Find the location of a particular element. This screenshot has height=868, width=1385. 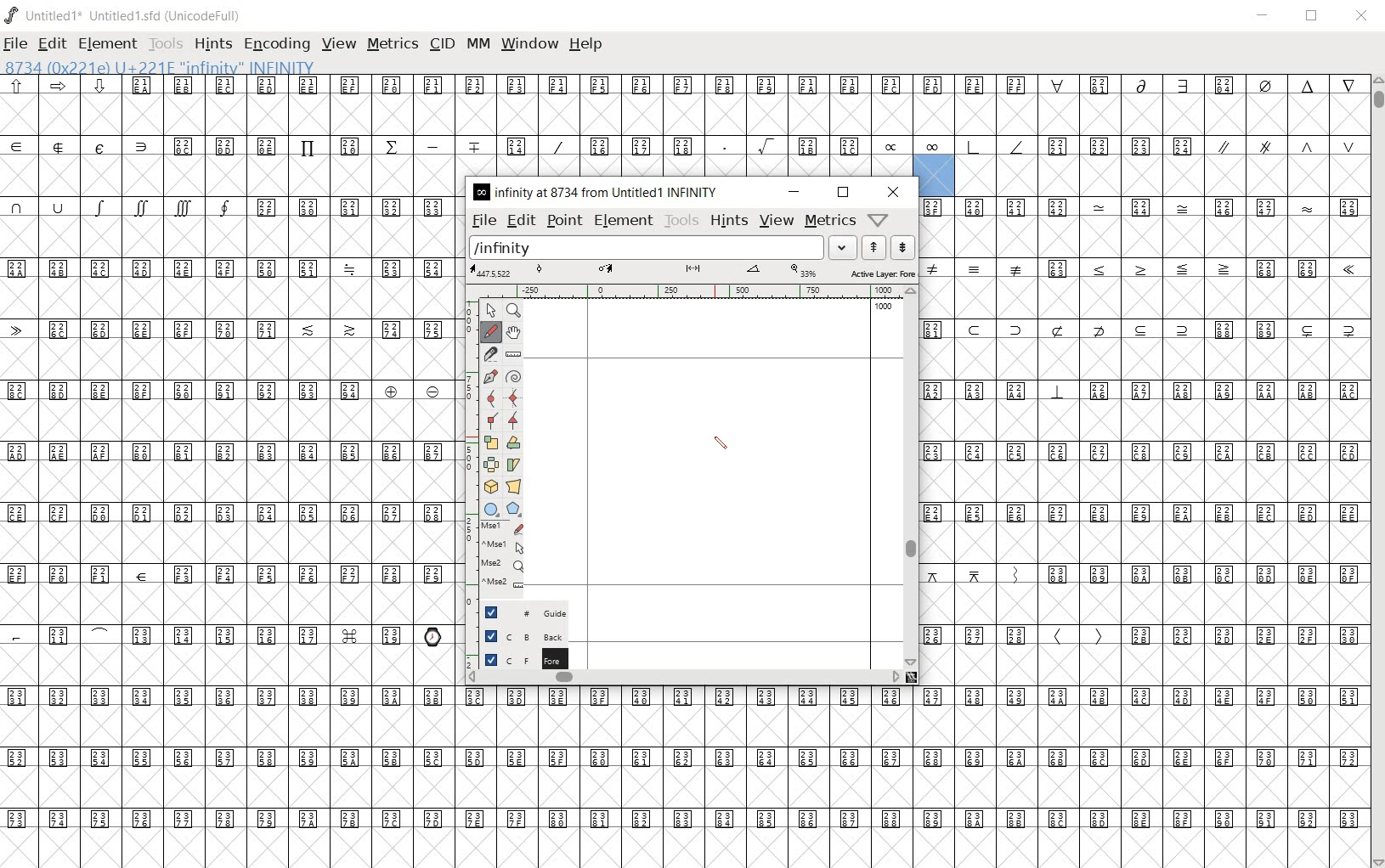

symbols is located at coordinates (124, 206).